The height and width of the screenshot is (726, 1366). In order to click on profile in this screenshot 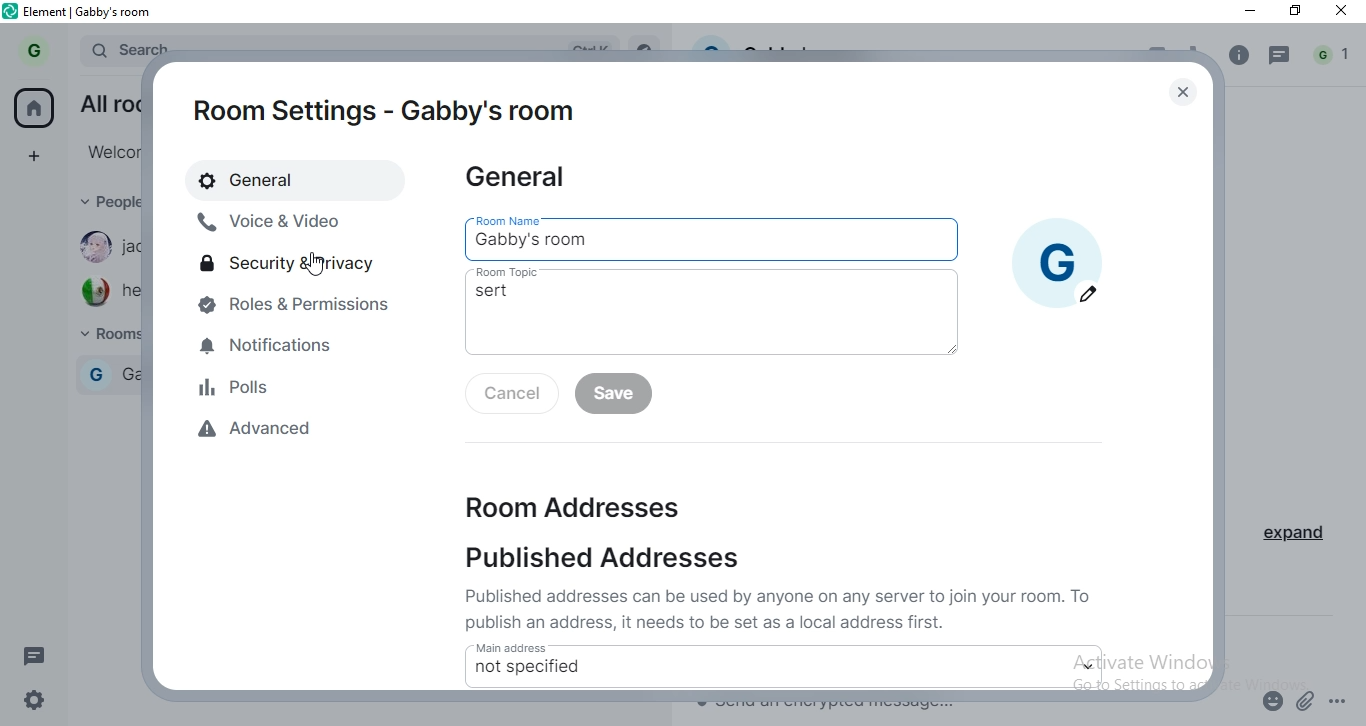, I will do `click(38, 49)`.